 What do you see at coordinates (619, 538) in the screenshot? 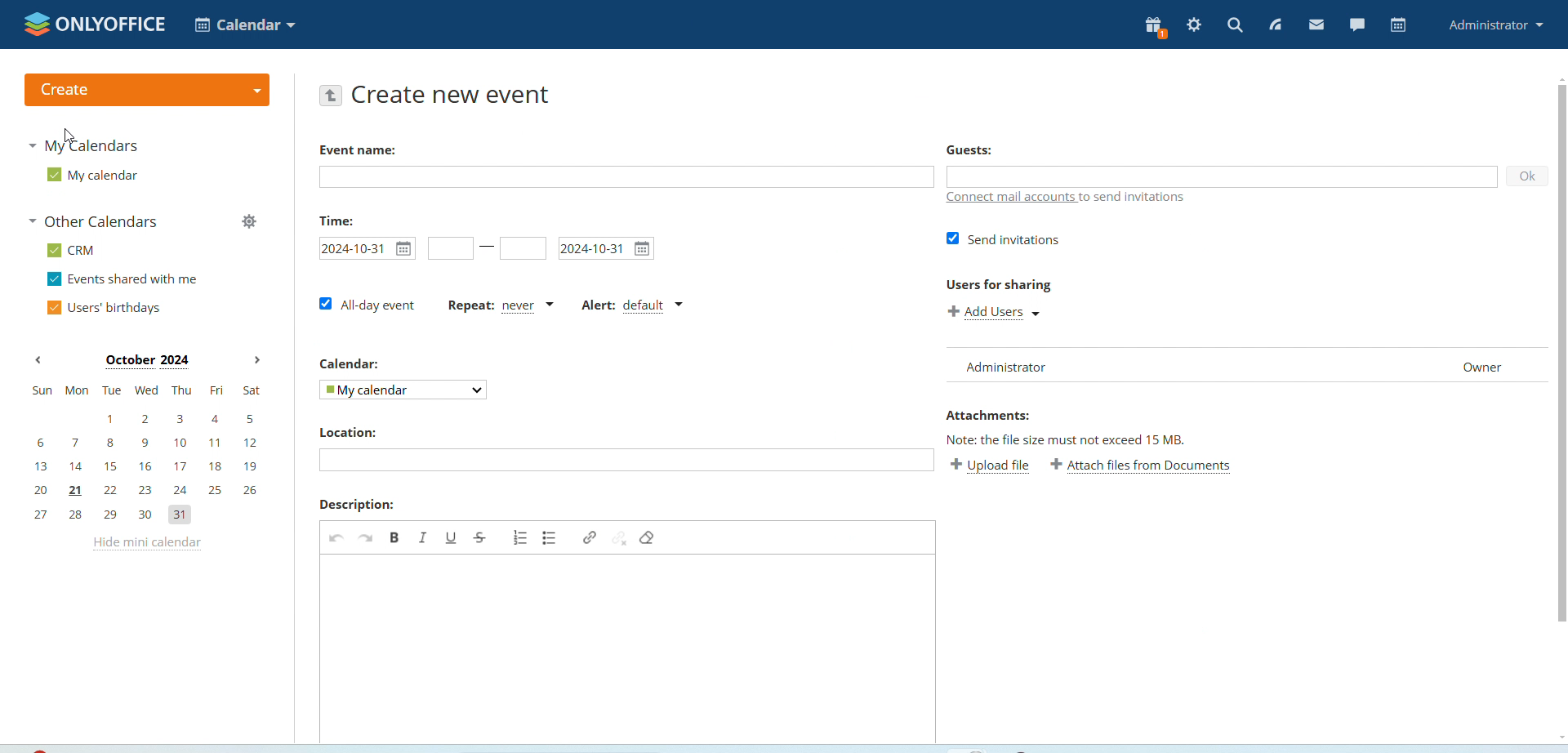
I see `unlink` at bounding box center [619, 538].